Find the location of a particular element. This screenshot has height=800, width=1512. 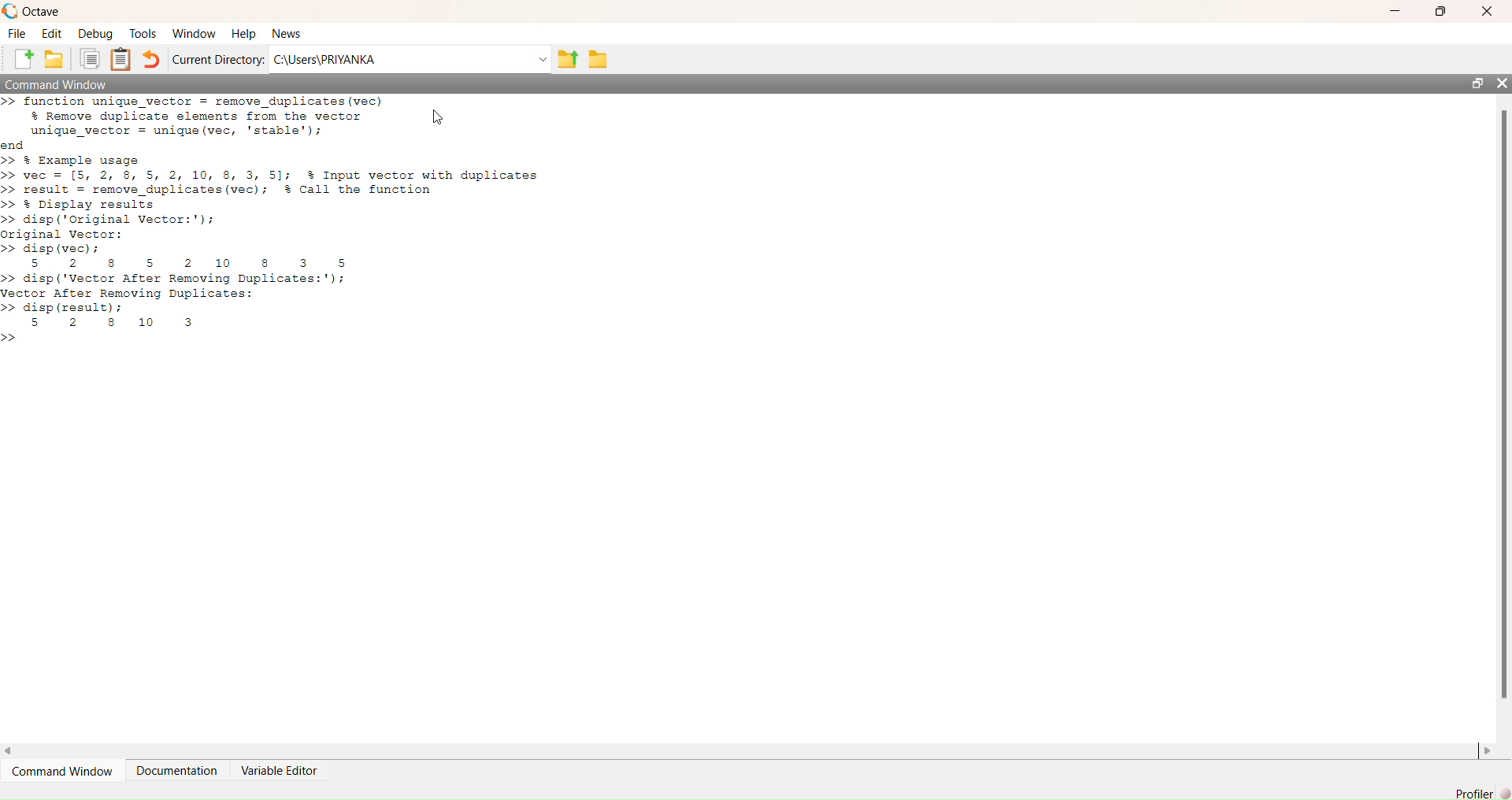

scrollbar is located at coordinates (1505, 405).